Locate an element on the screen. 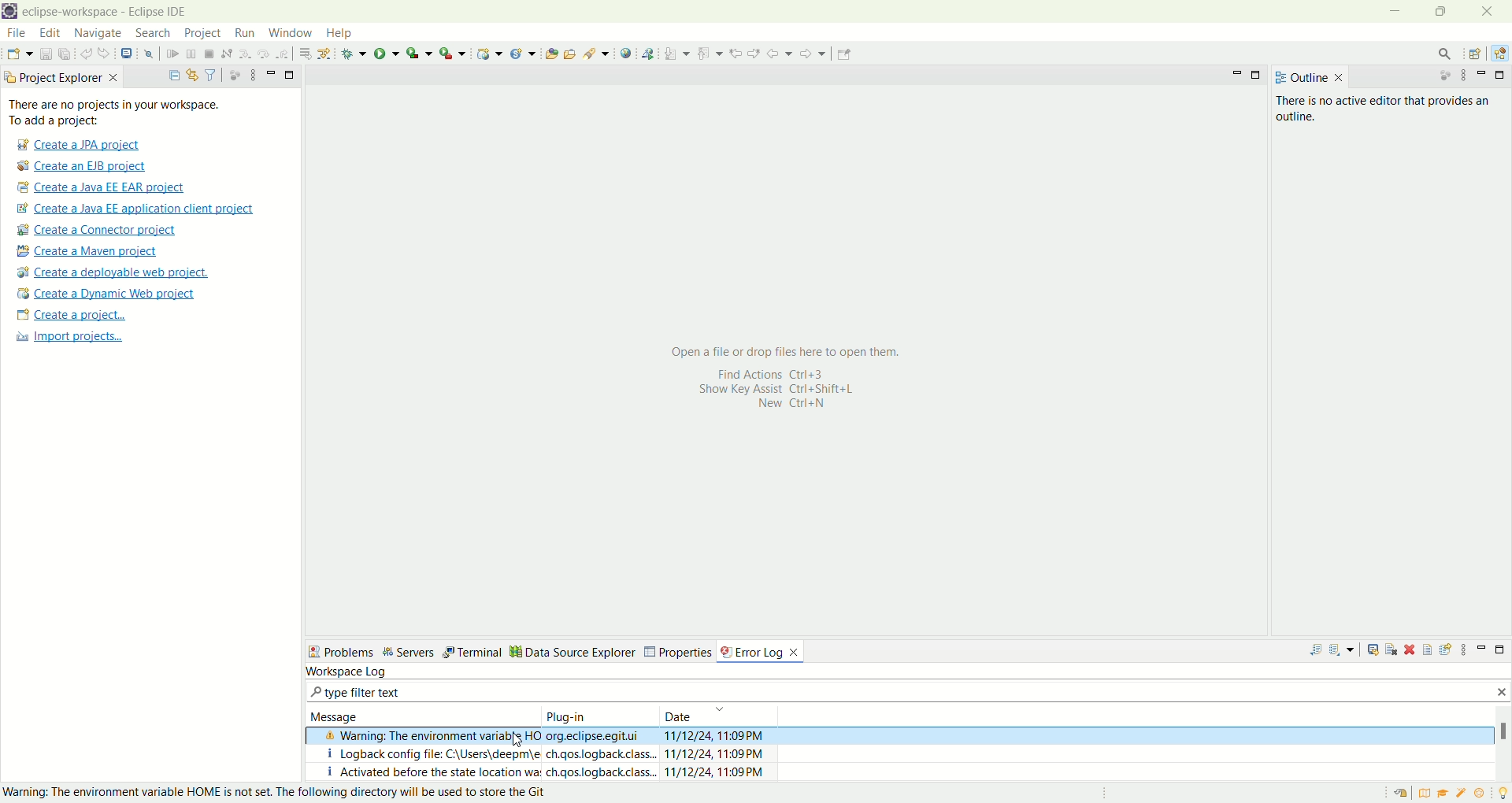 The height and width of the screenshot is (803, 1512). previous edit location is located at coordinates (736, 52).